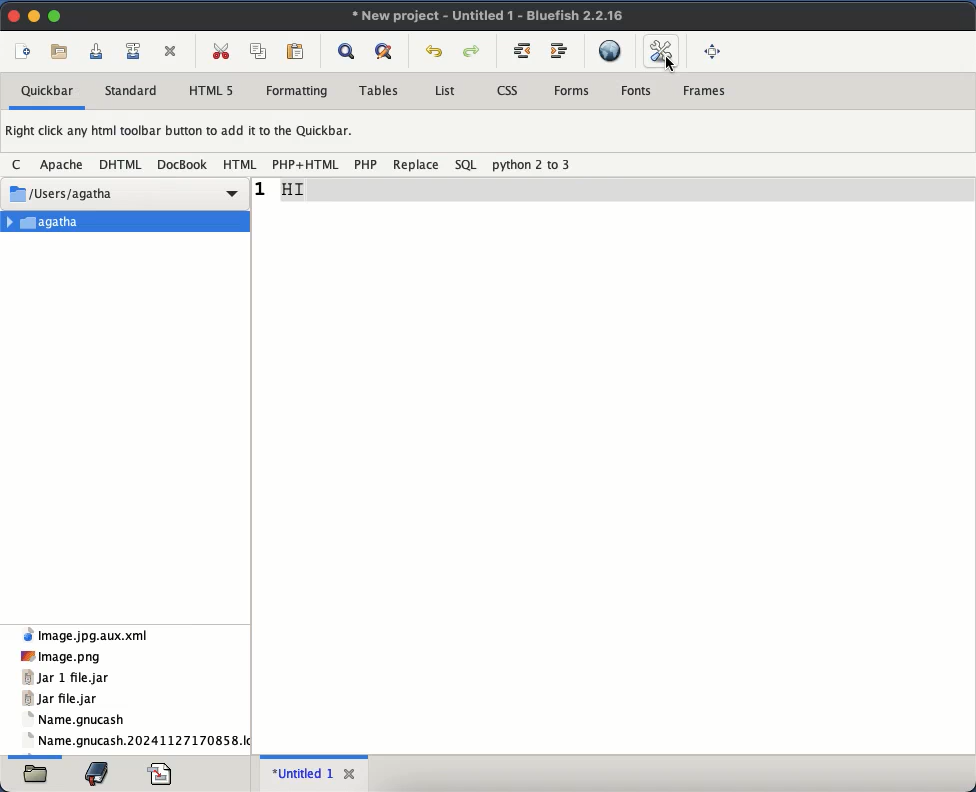 The width and height of the screenshot is (976, 792). I want to click on save current file, so click(98, 51).